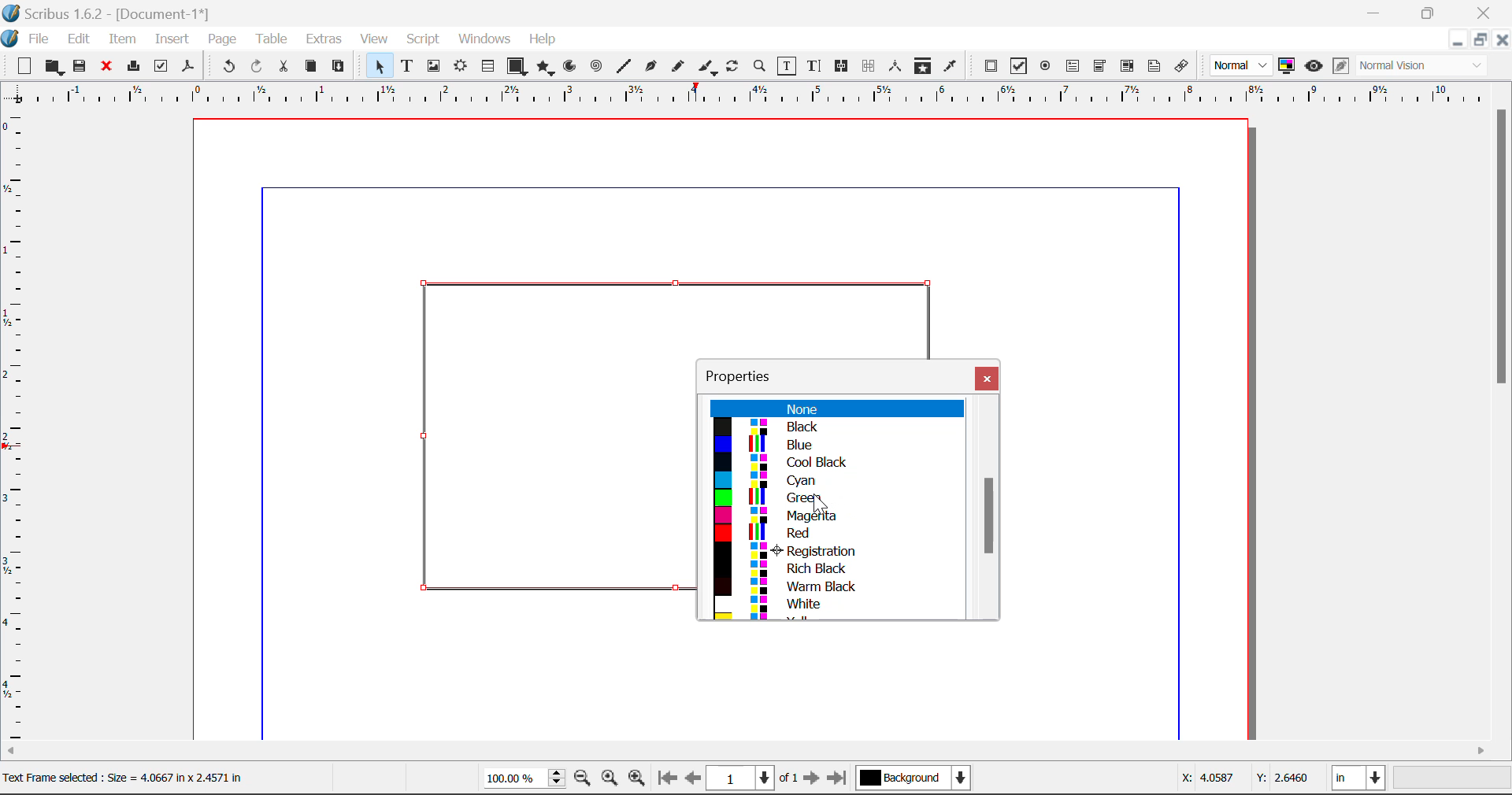  What do you see at coordinates (107, 67) in the screenshot?
I see `Discard` at bounding box center [107, 67].